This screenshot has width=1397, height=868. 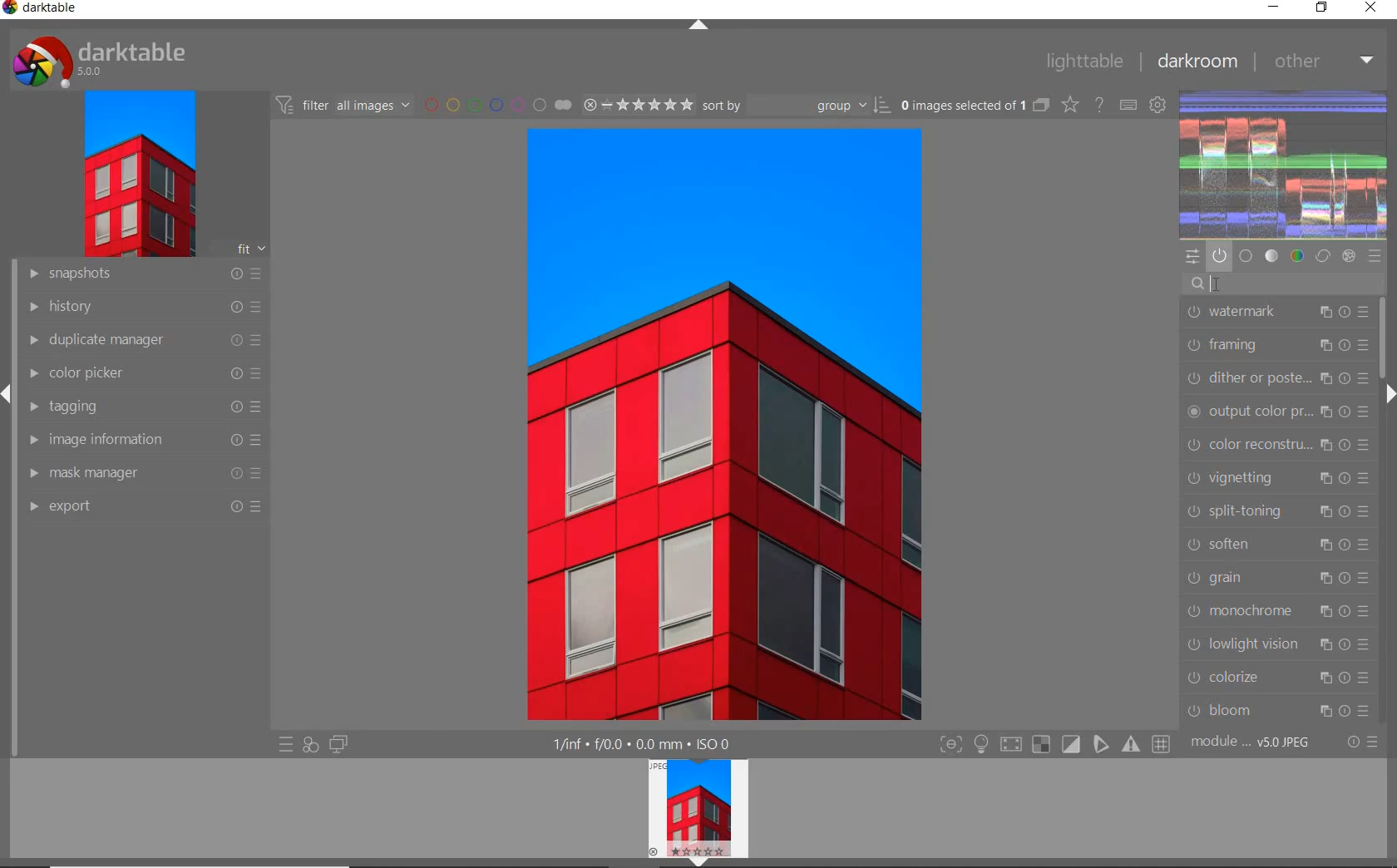 What do you see at coordinates (1274, 8) in the screenshot?
I see `minimize` at bounding box center [1274, 8].